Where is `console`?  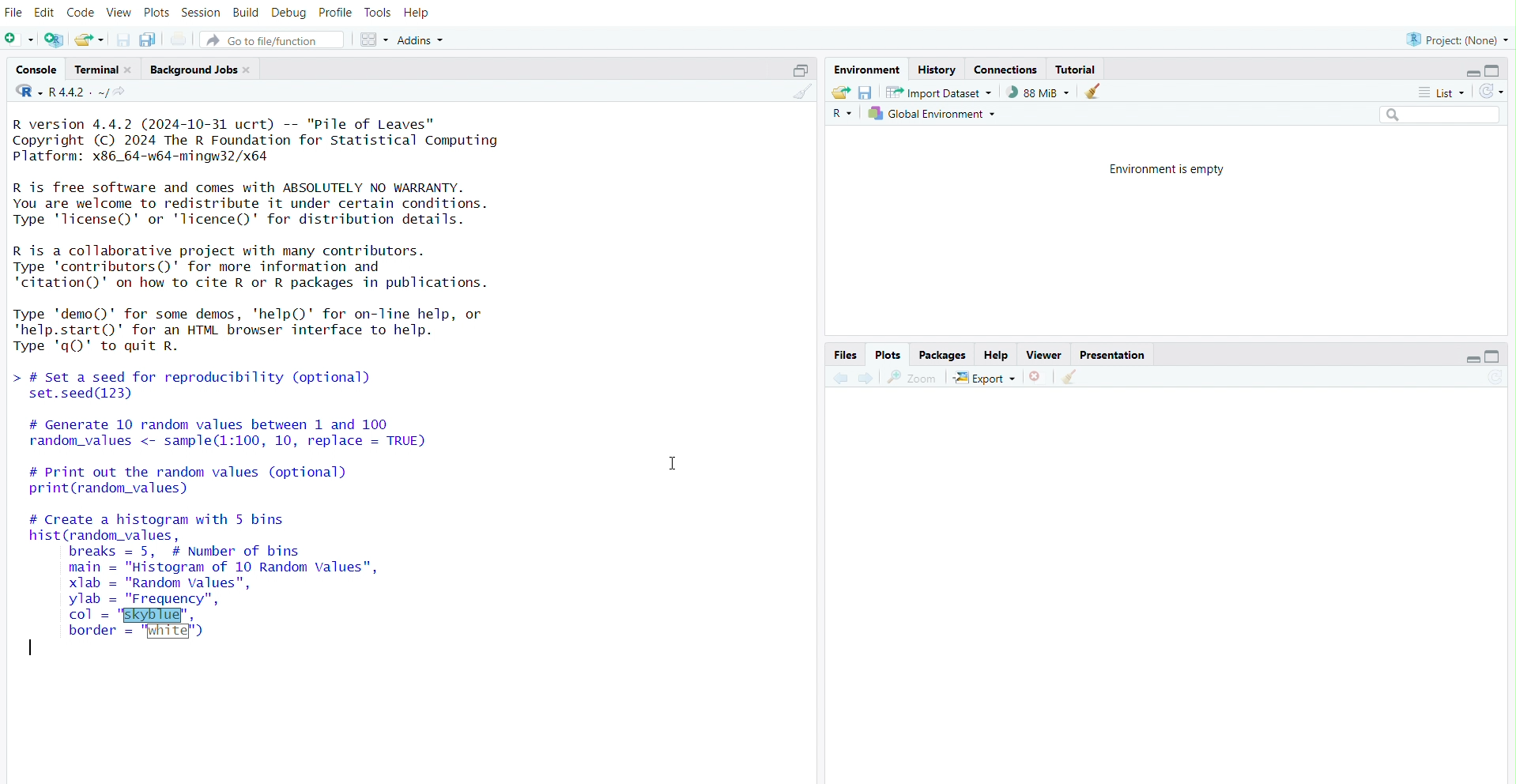
console is located at coordinates (30, 67).